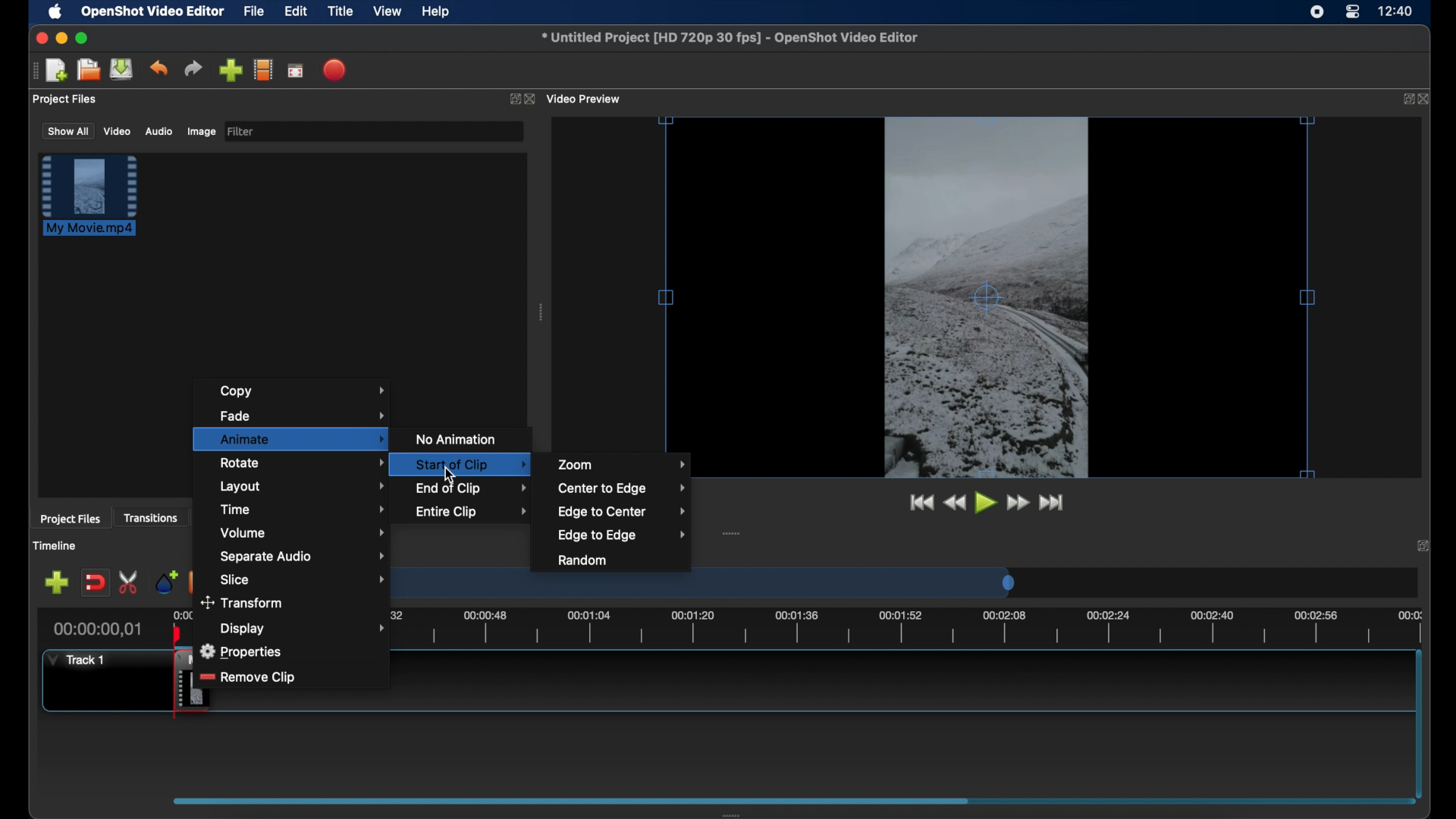 The height and width of the screenshot is (819, 1456). Describe the element at coordinates (307, 391) in the screenshot. I see `copy menu` at that location.